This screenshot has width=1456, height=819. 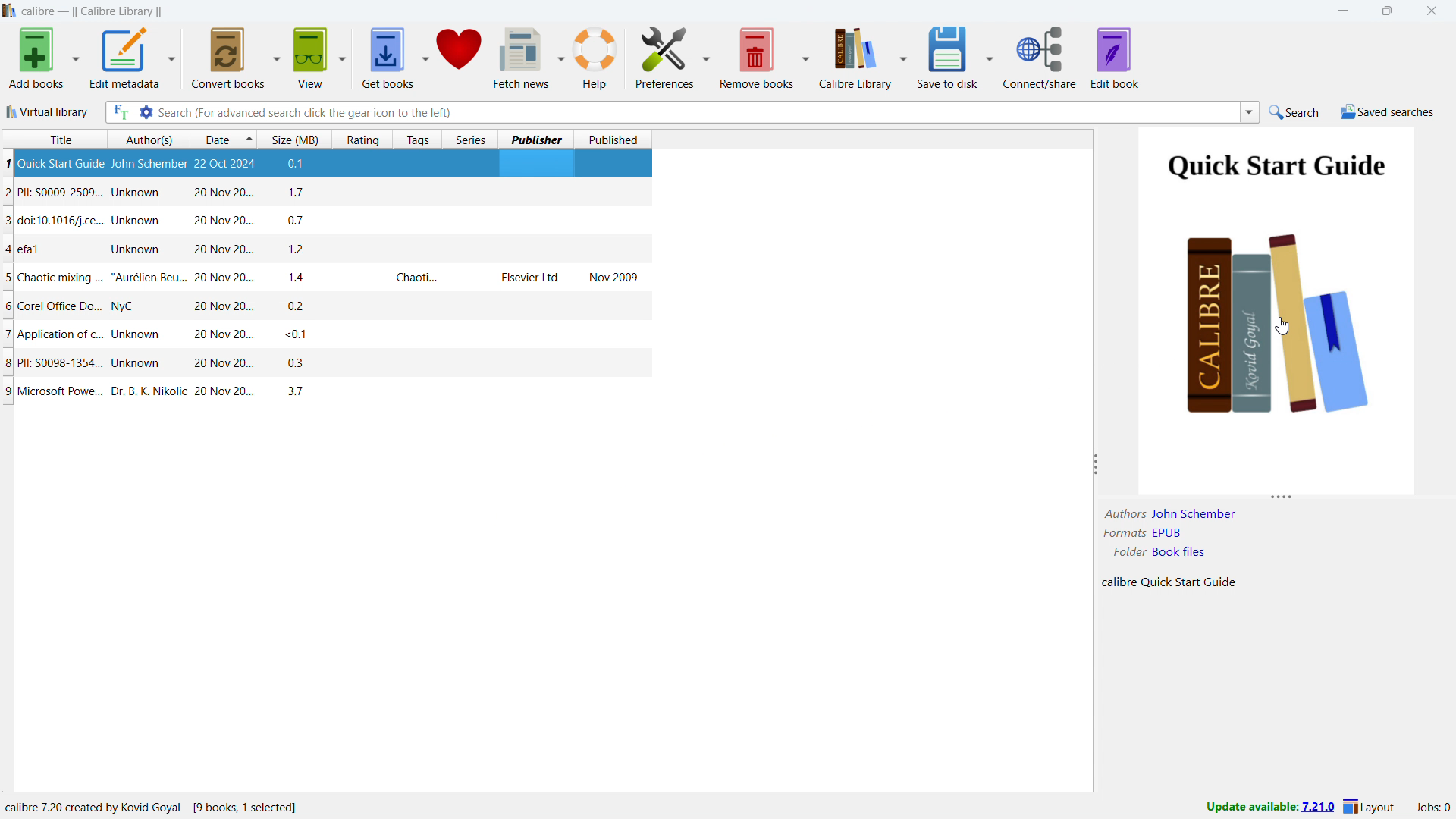 I want to click on 0.2, so click(x=296, y=306).